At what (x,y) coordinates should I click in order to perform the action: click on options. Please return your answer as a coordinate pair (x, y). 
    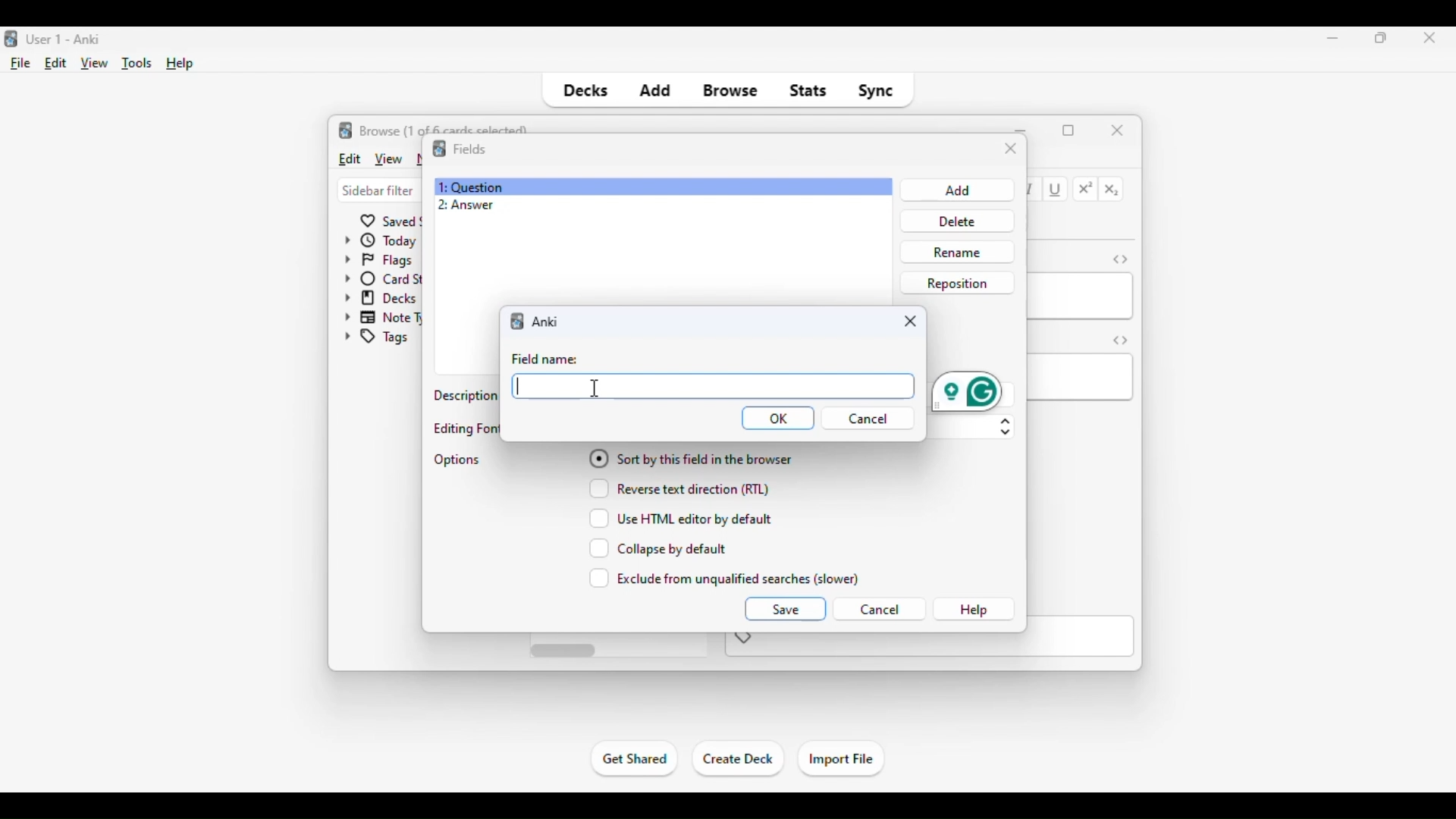
    Looking at the image, I should click on (458, 460).